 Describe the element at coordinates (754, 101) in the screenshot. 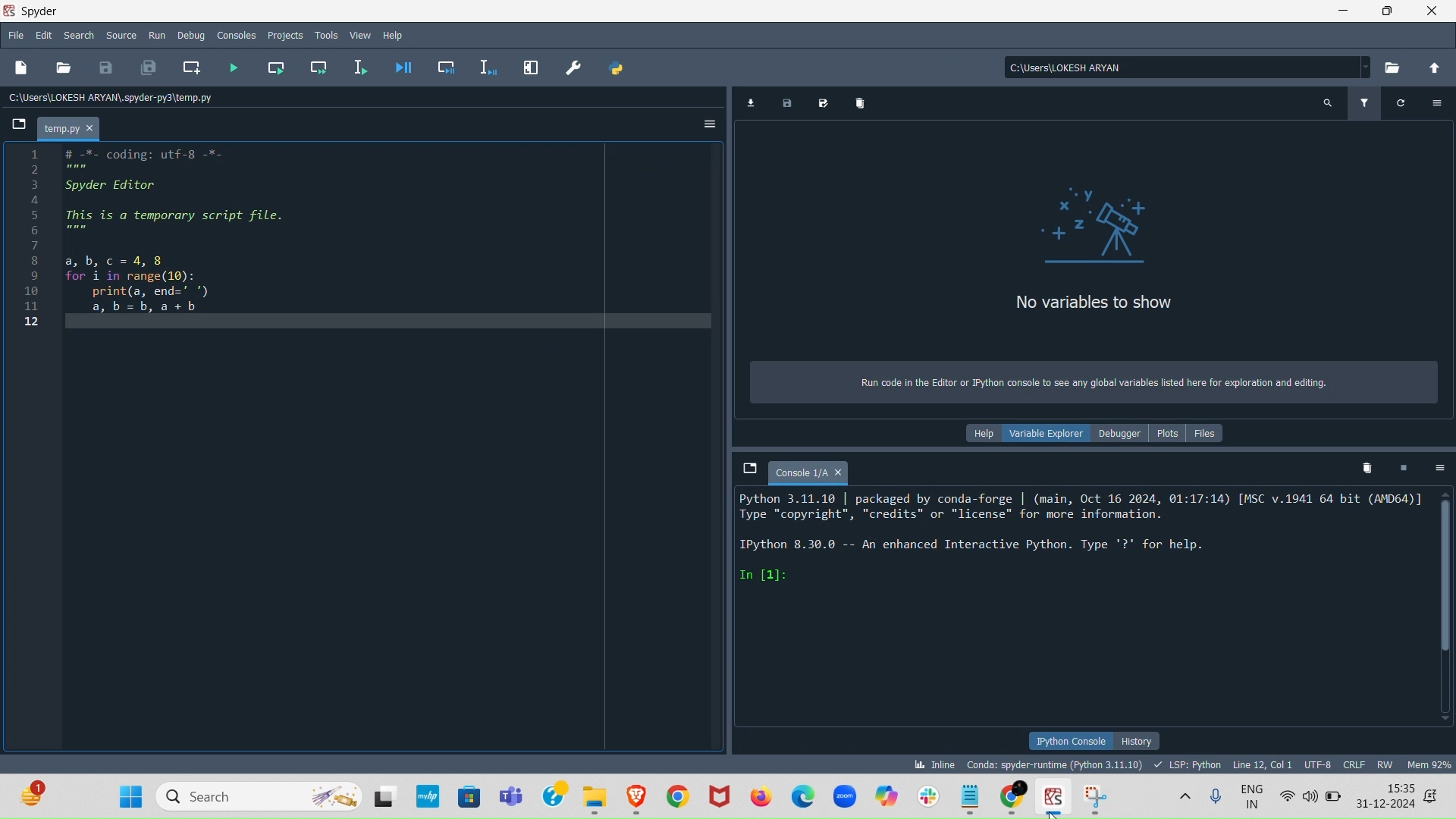

I see `Import data` at that location.